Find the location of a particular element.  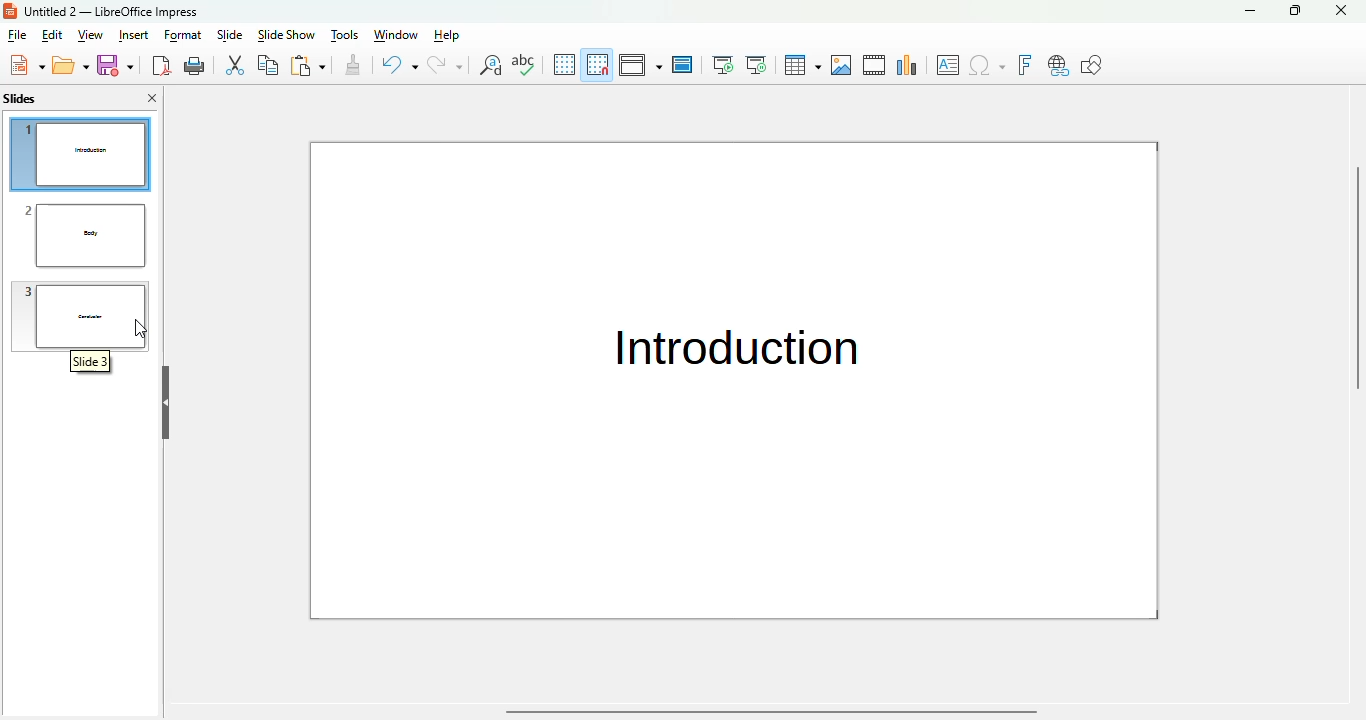

close is located at coordinates (1340, 10).